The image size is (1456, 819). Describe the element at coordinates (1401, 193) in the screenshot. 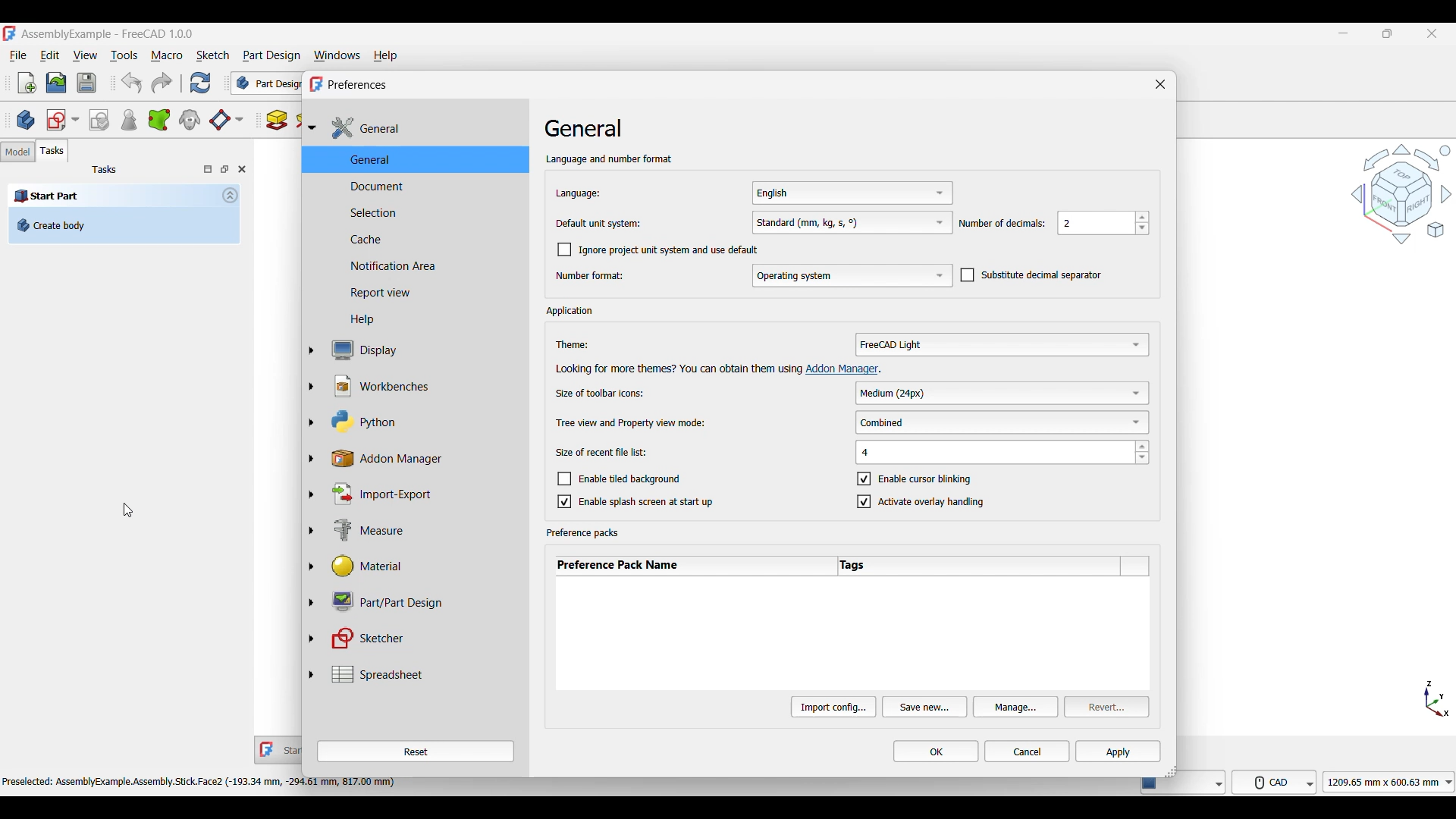

I see `Navigation` at that location.